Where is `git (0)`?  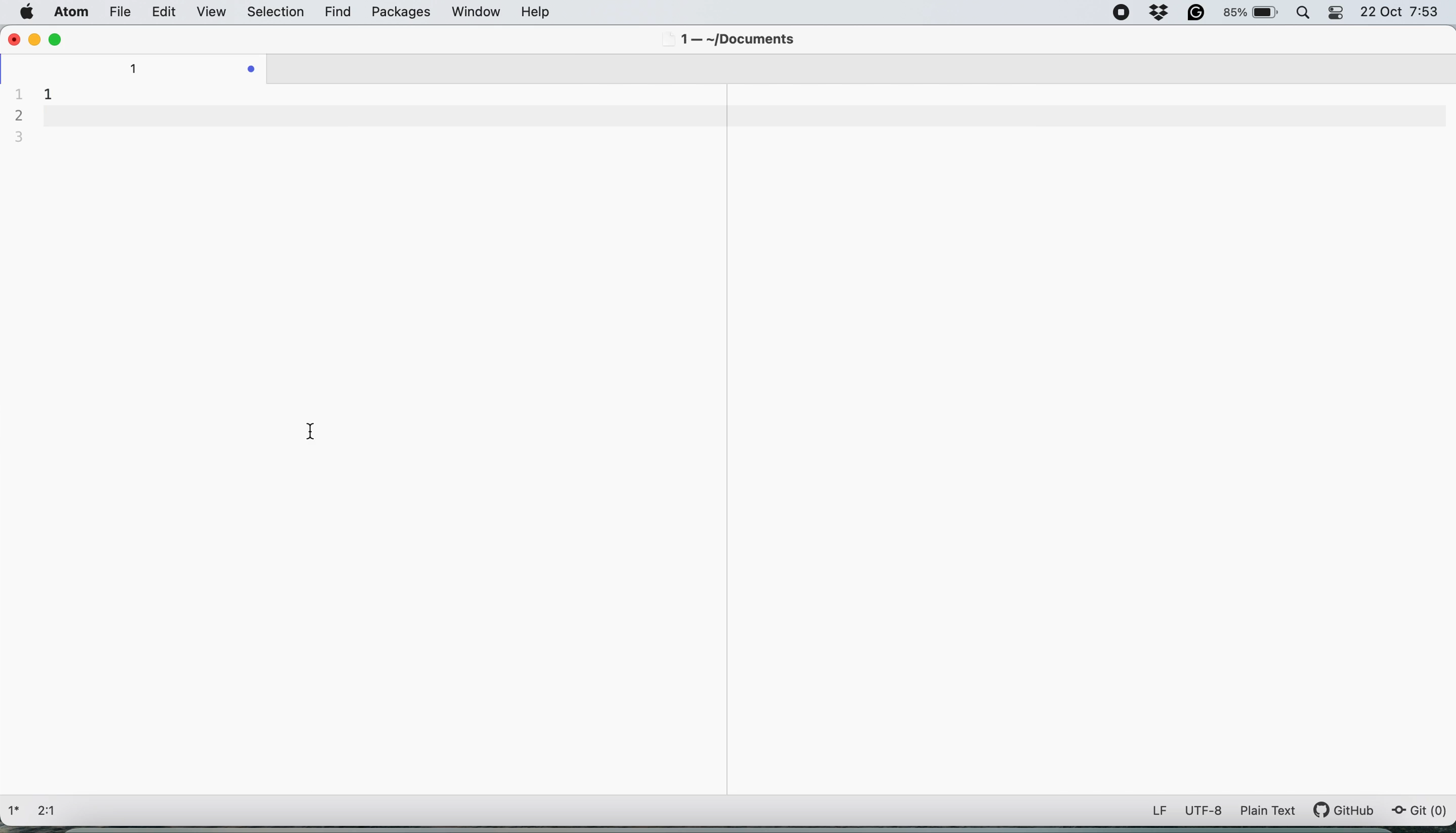 git (0) is located at coordinates (1419, 811).